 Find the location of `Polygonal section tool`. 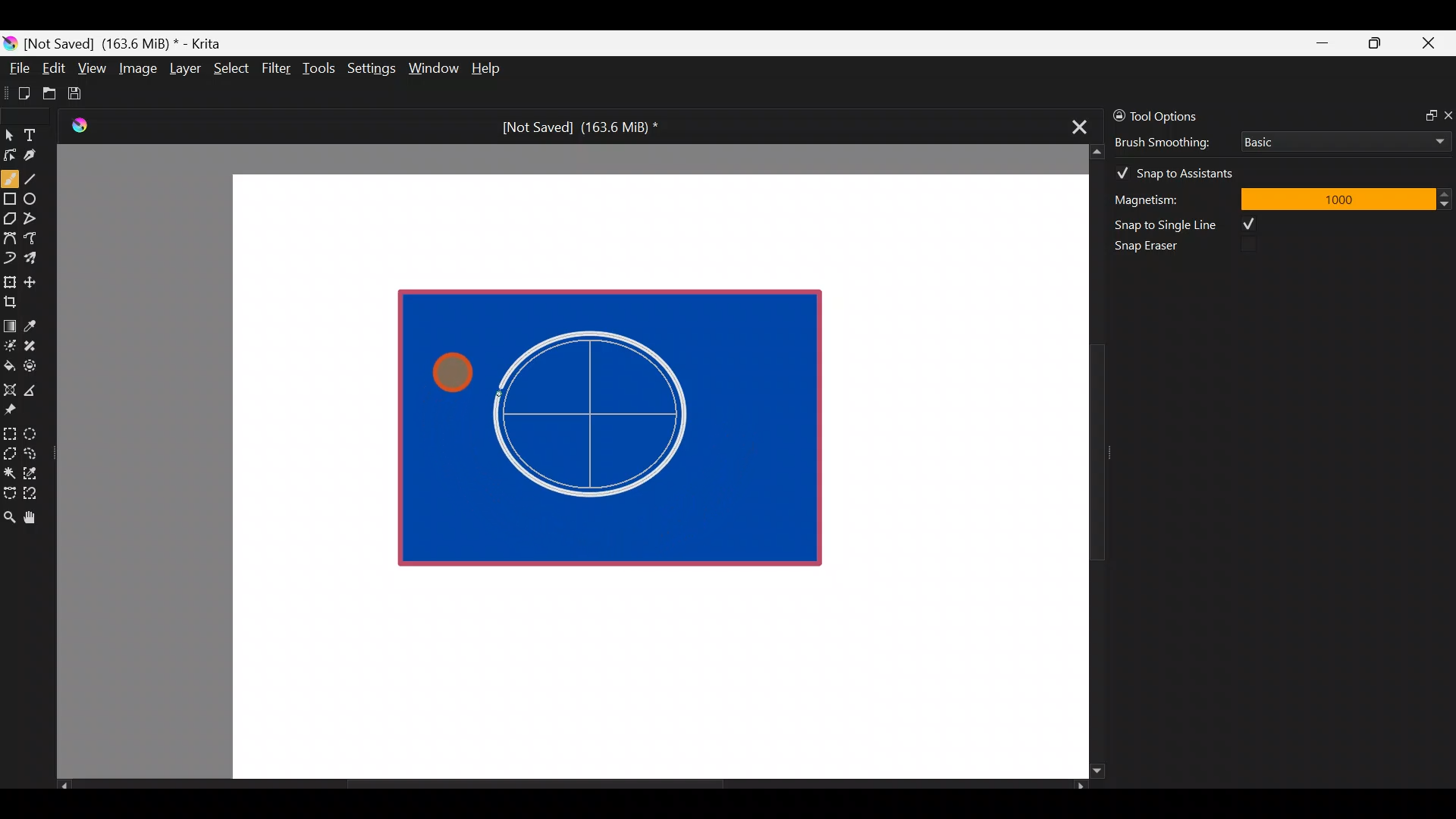

Polygonal section tool is located at coordinates (9, 450).